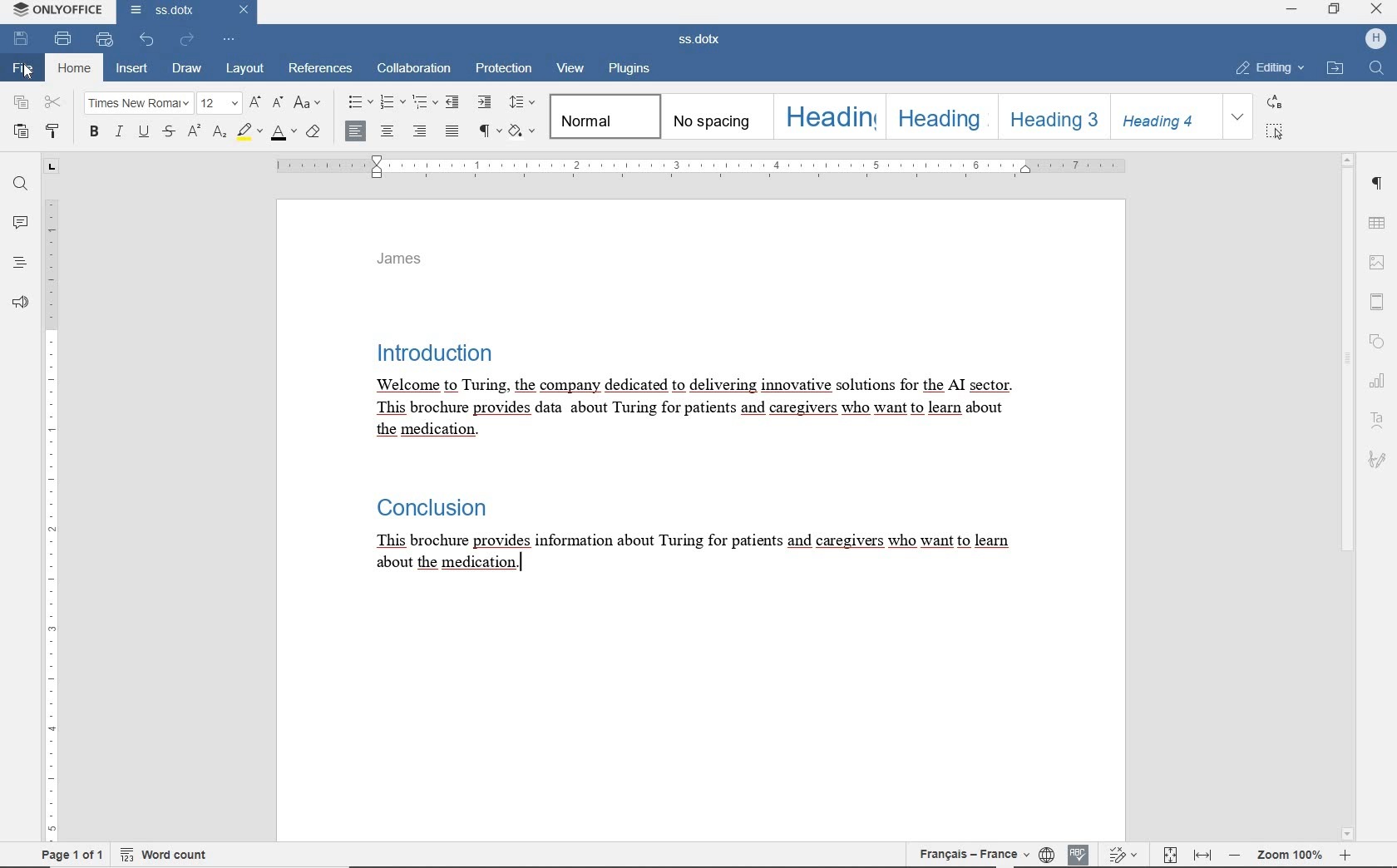 The image size is (1397, 868). Describe the element at coordinates (1049, 117) in the screenshot. I see `HEADING 3` at that location.